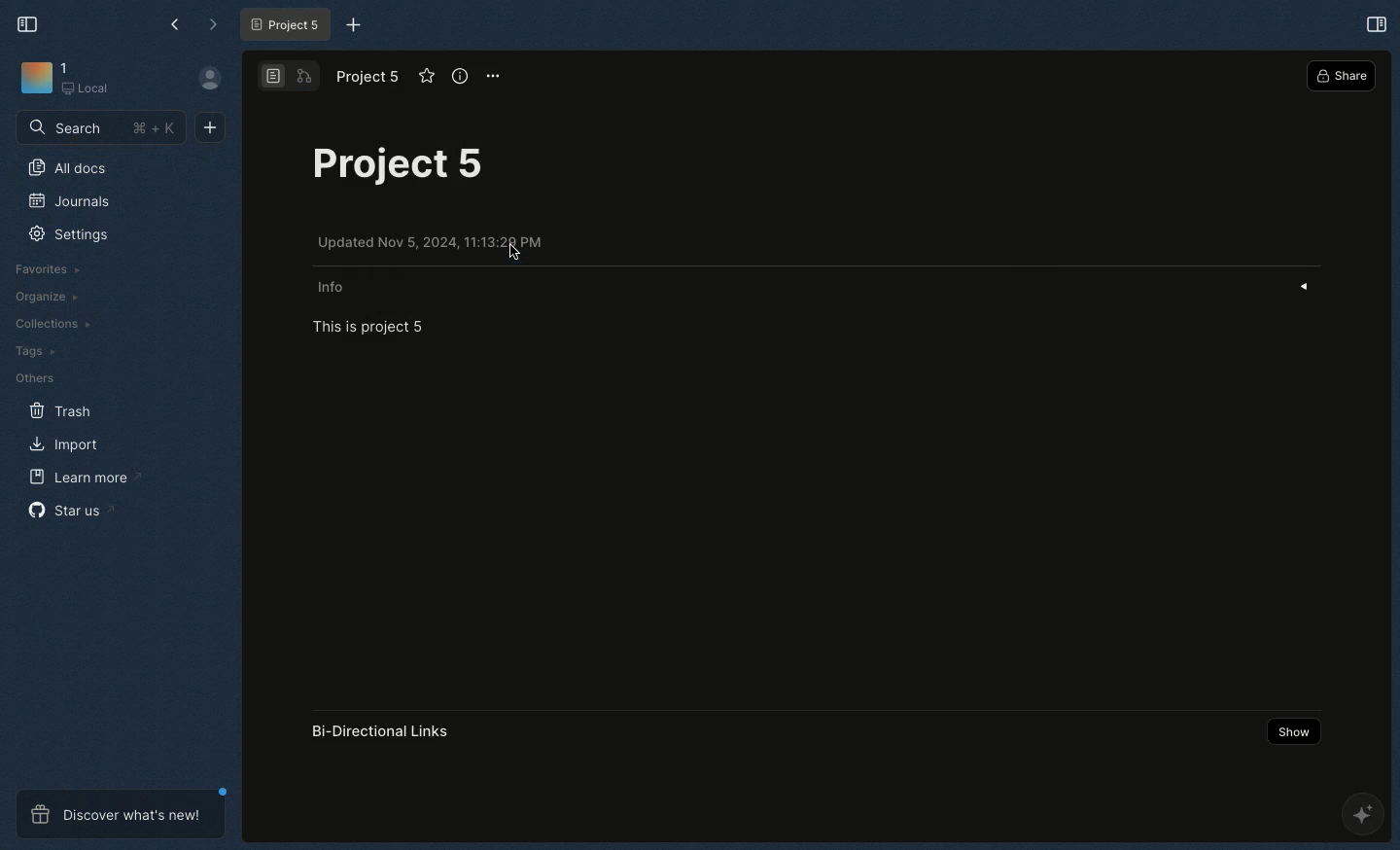 This screenshot has height=850, width=1400. What do you see at coordinates (510, 253) in the screenshot?
I see `Cursor` at bounding box center [510, 253].